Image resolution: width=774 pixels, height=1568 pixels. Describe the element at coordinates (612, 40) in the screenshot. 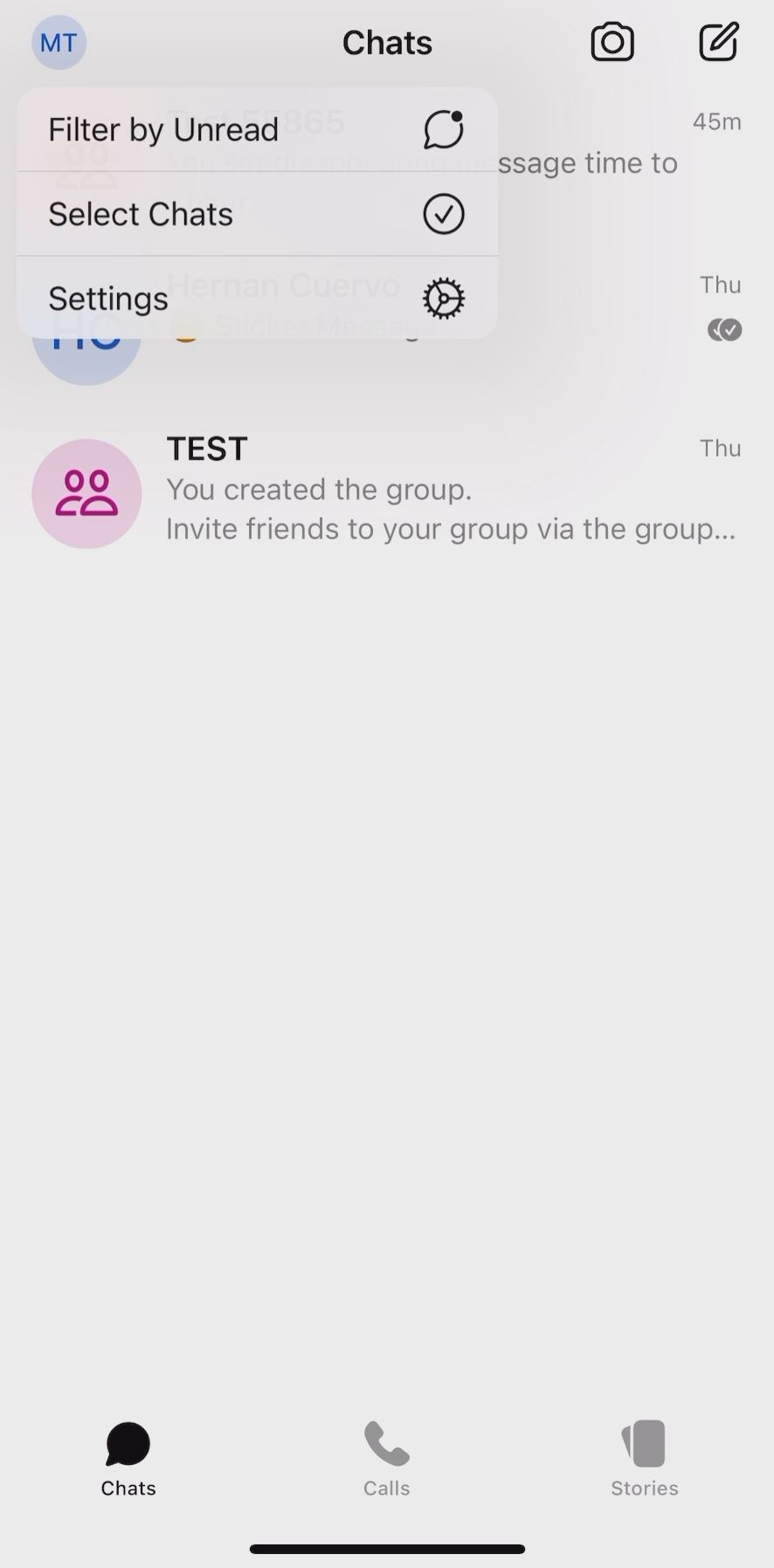

I see `camera` at that location.